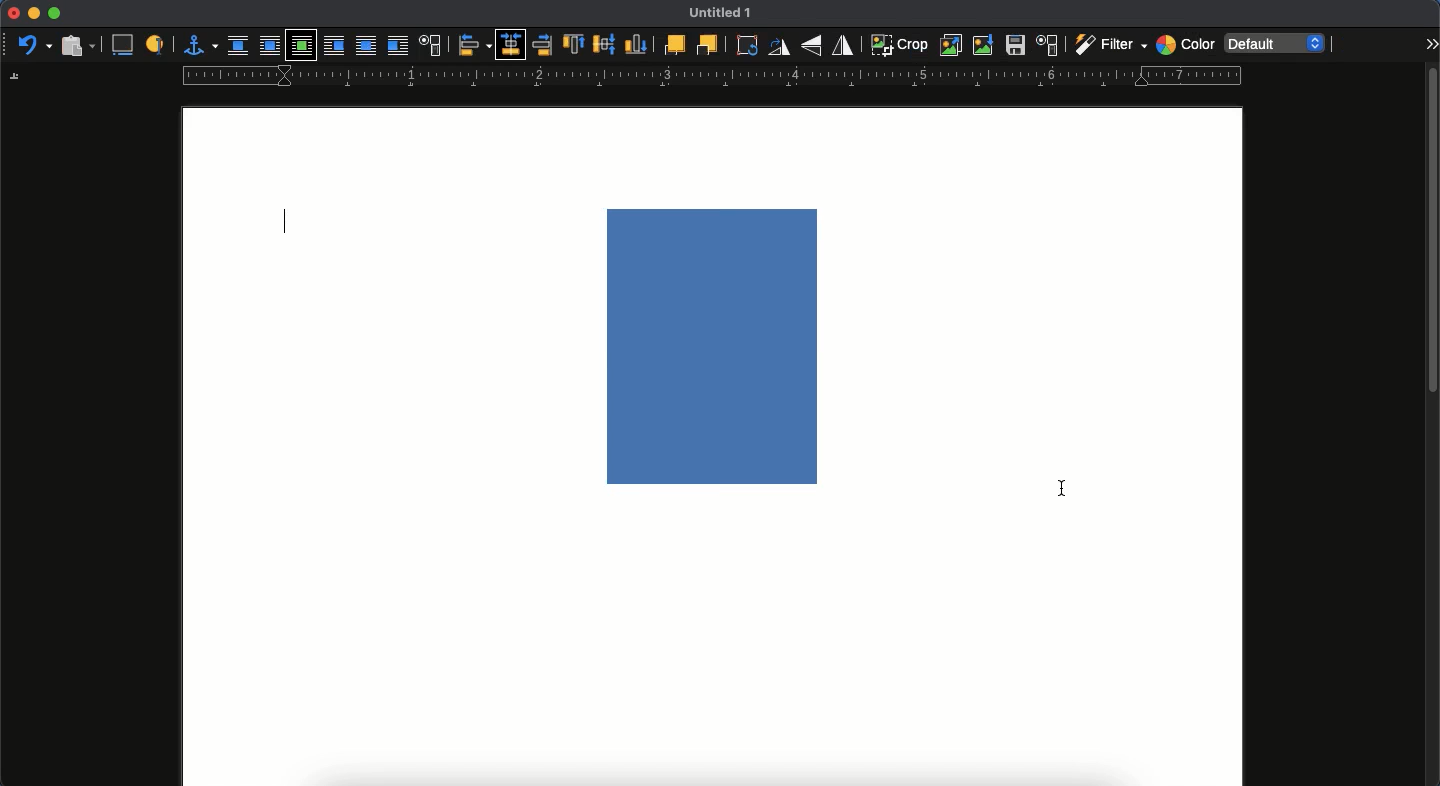 This screenshot has width=1440, height=786. I want to click on save, so click(1015, 46).